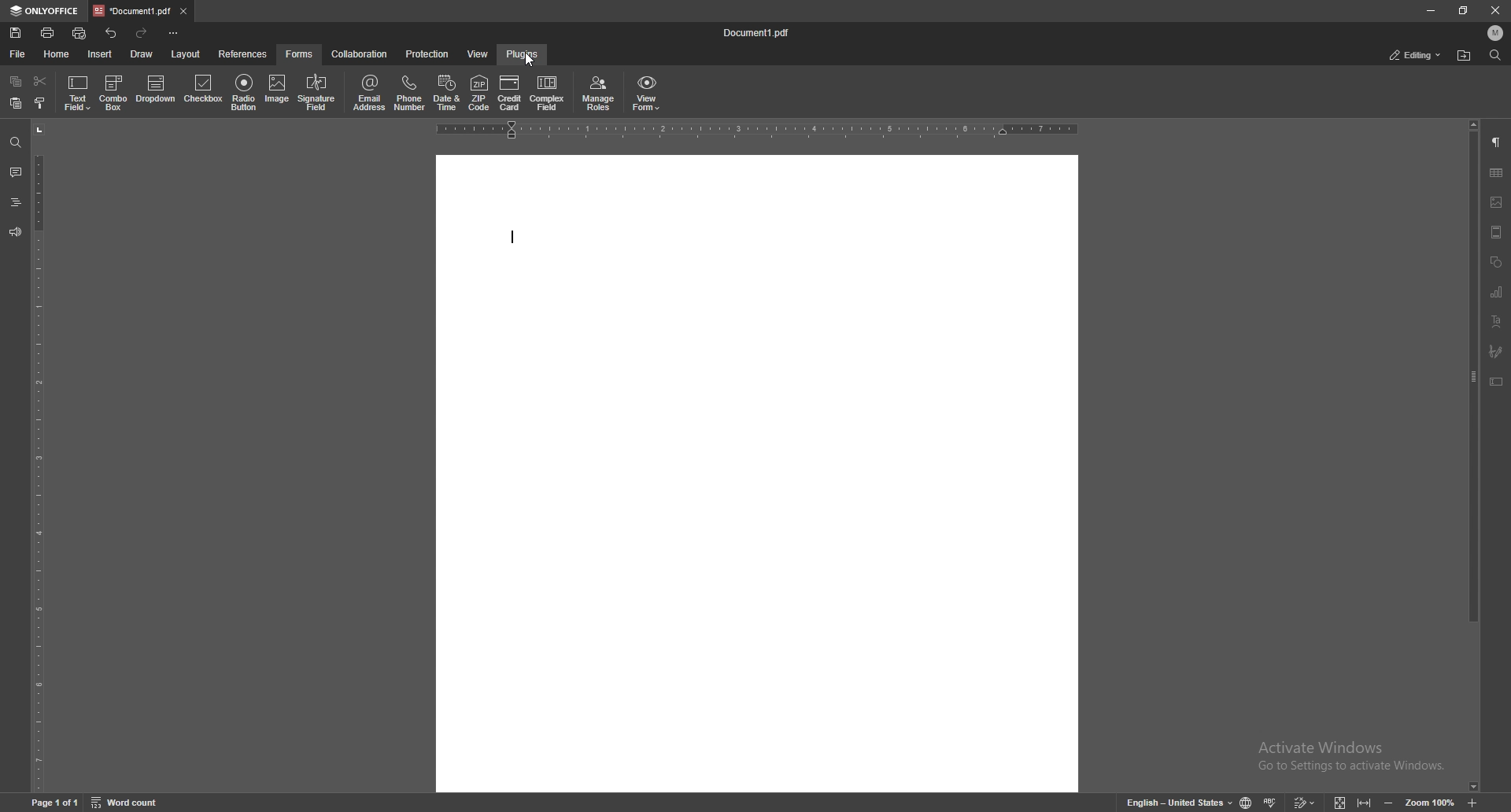  I want to click on fit to width, so click(1365, 802).